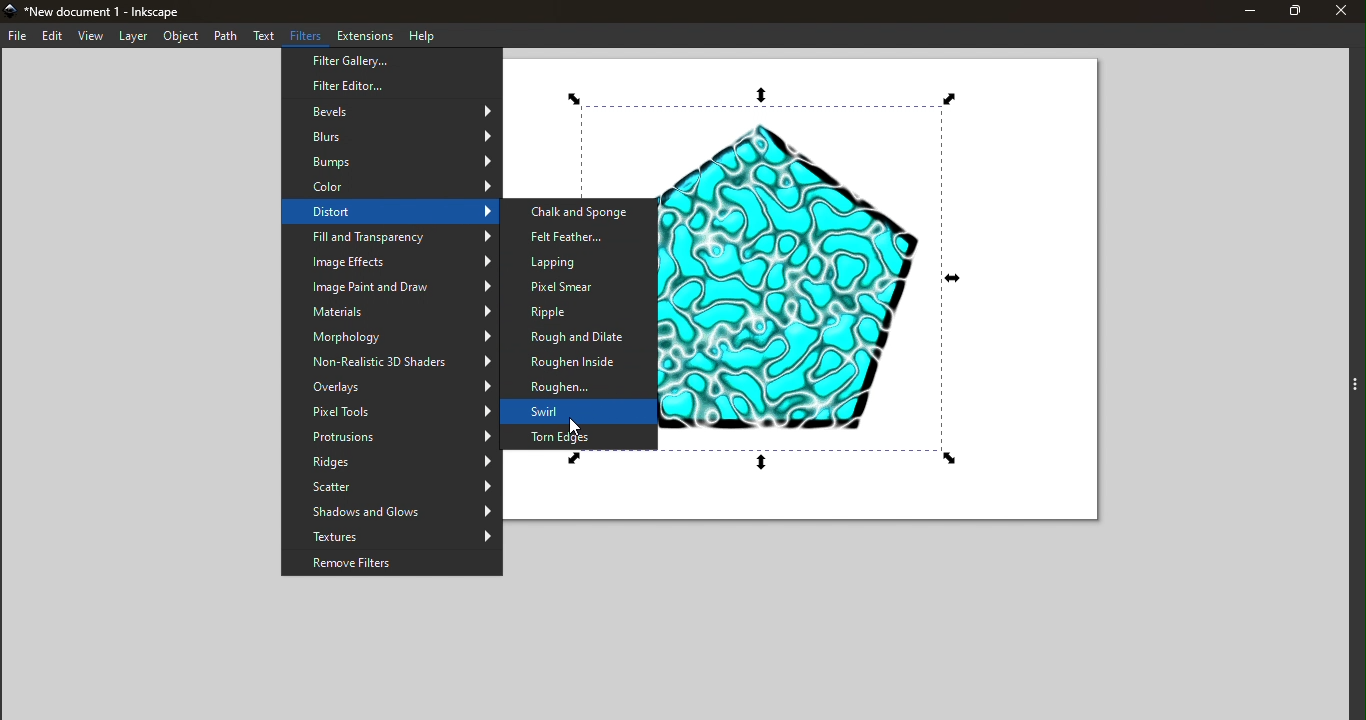 The image size is (1366, 720). What do you see at coordinates (581, 387) in the screenshot?
I see `Roughen` at bounding box center [581, 387].